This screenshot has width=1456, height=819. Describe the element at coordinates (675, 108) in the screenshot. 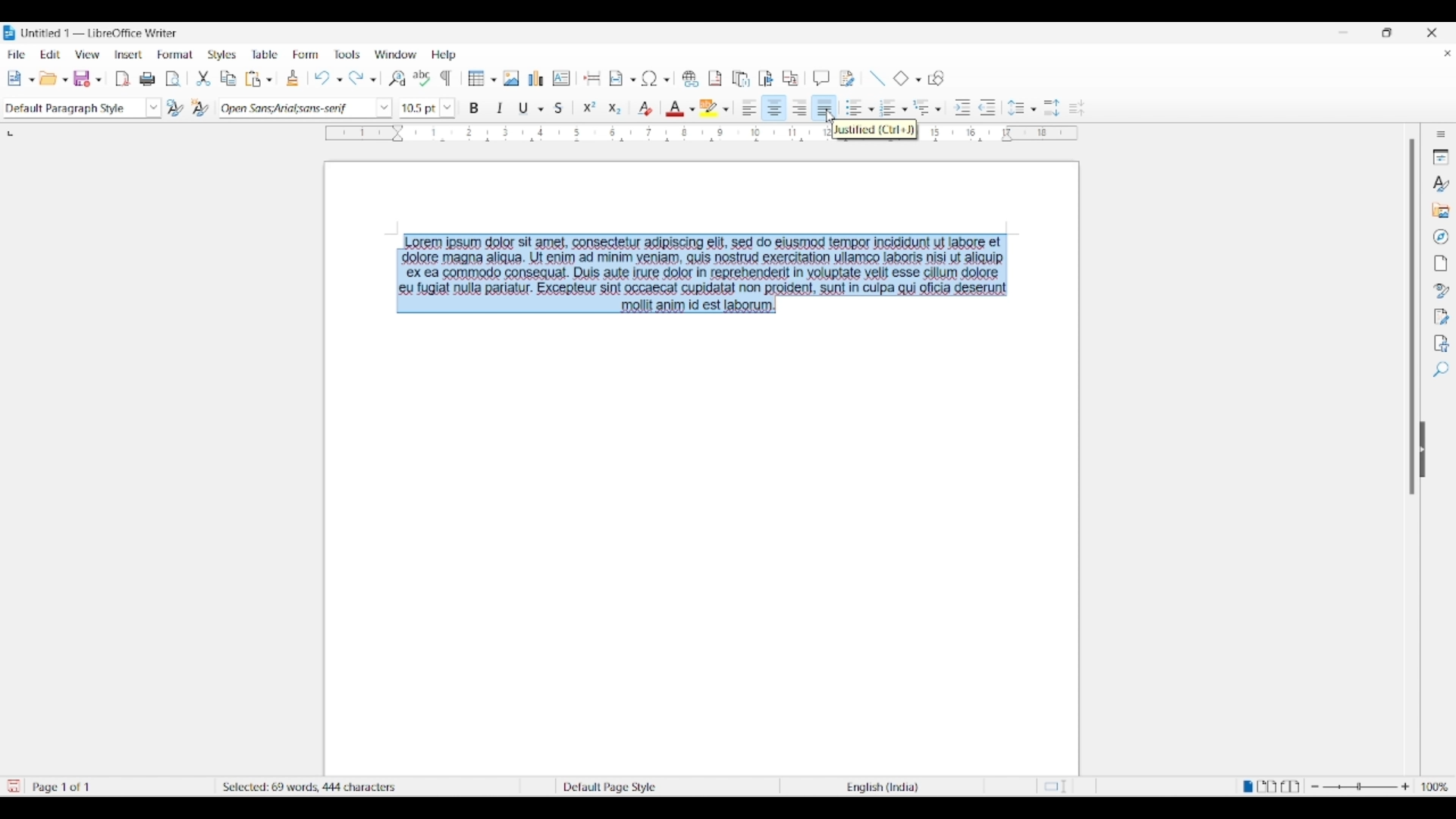

I see `Selected color for font` at that location.